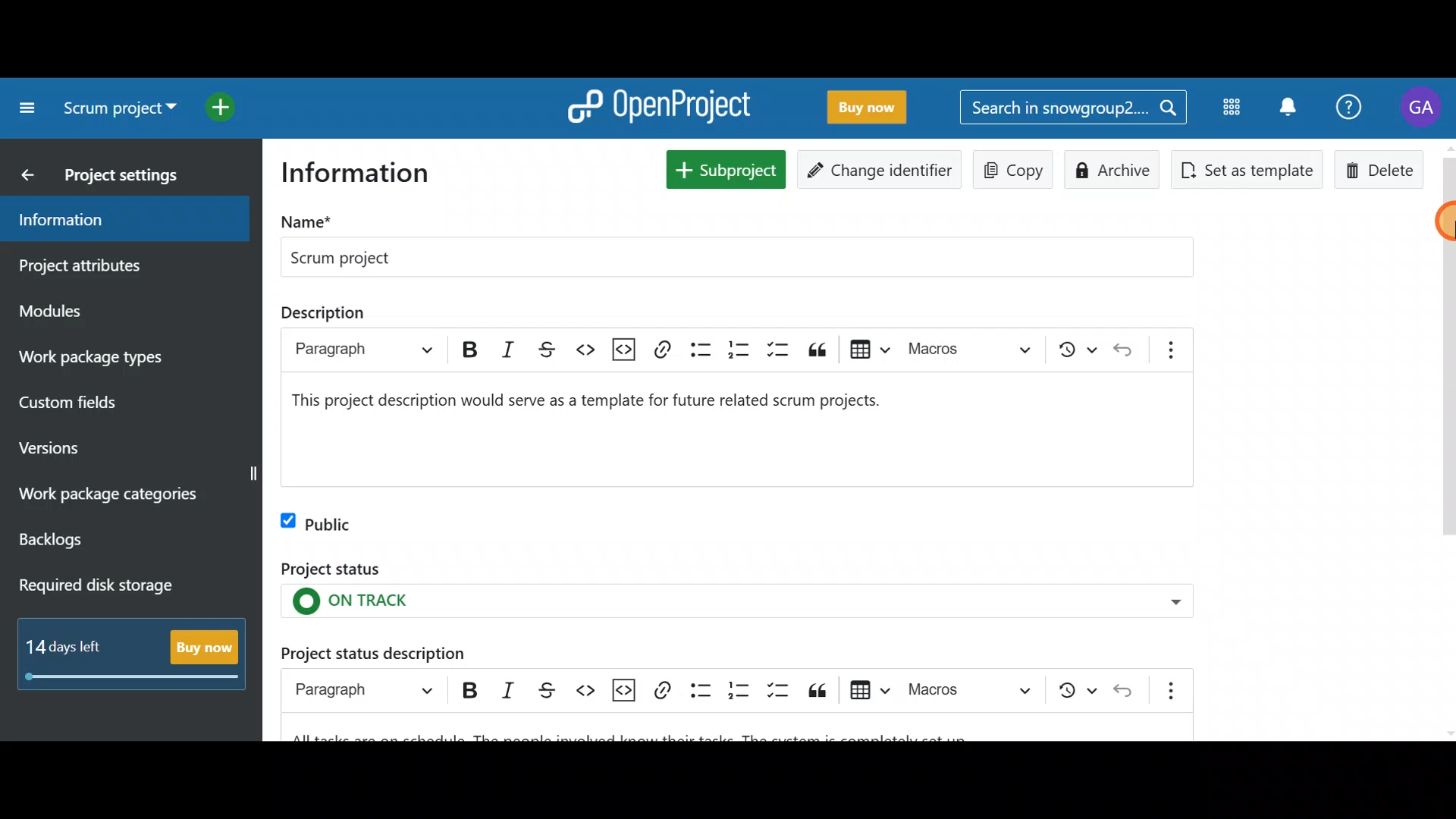 The height and width of the screenshot is (819, 1456). I want to click on strikethrough, so click(546, 350).